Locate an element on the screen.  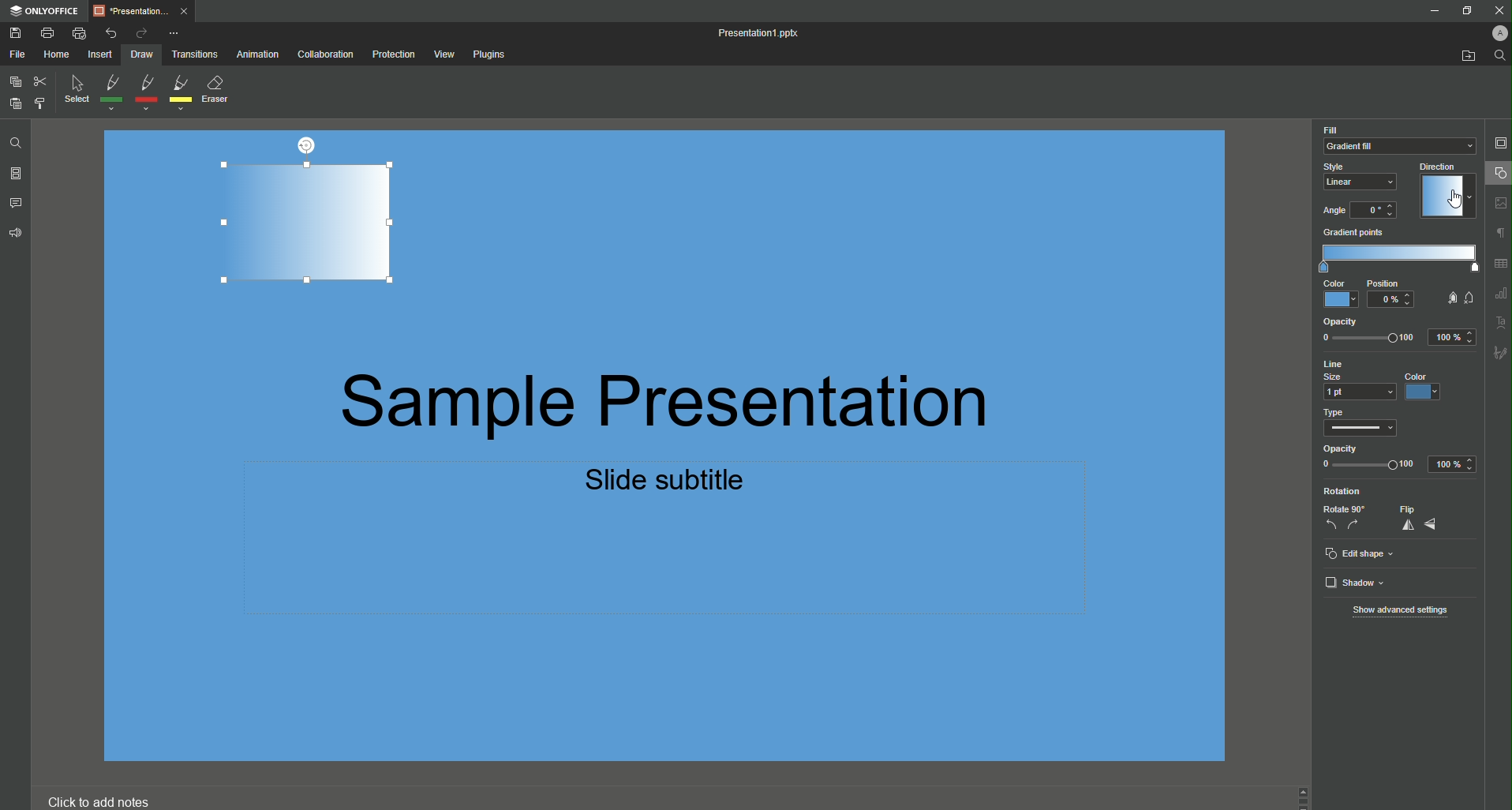
Draw is located at coordinates (141, 56).